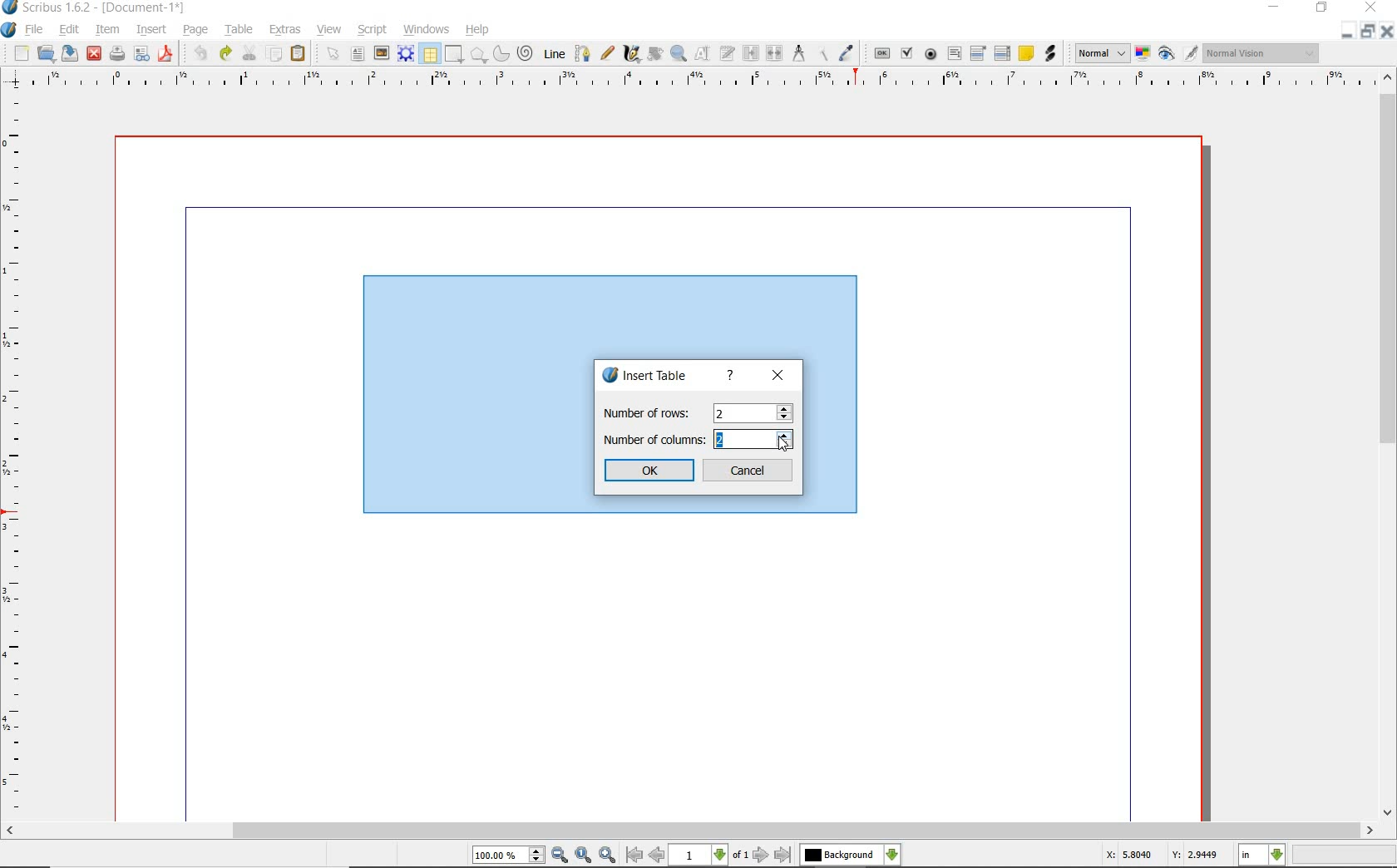 The width and height of the screenshot is (1397, 868). I want to click on undo, so click(200, 53).